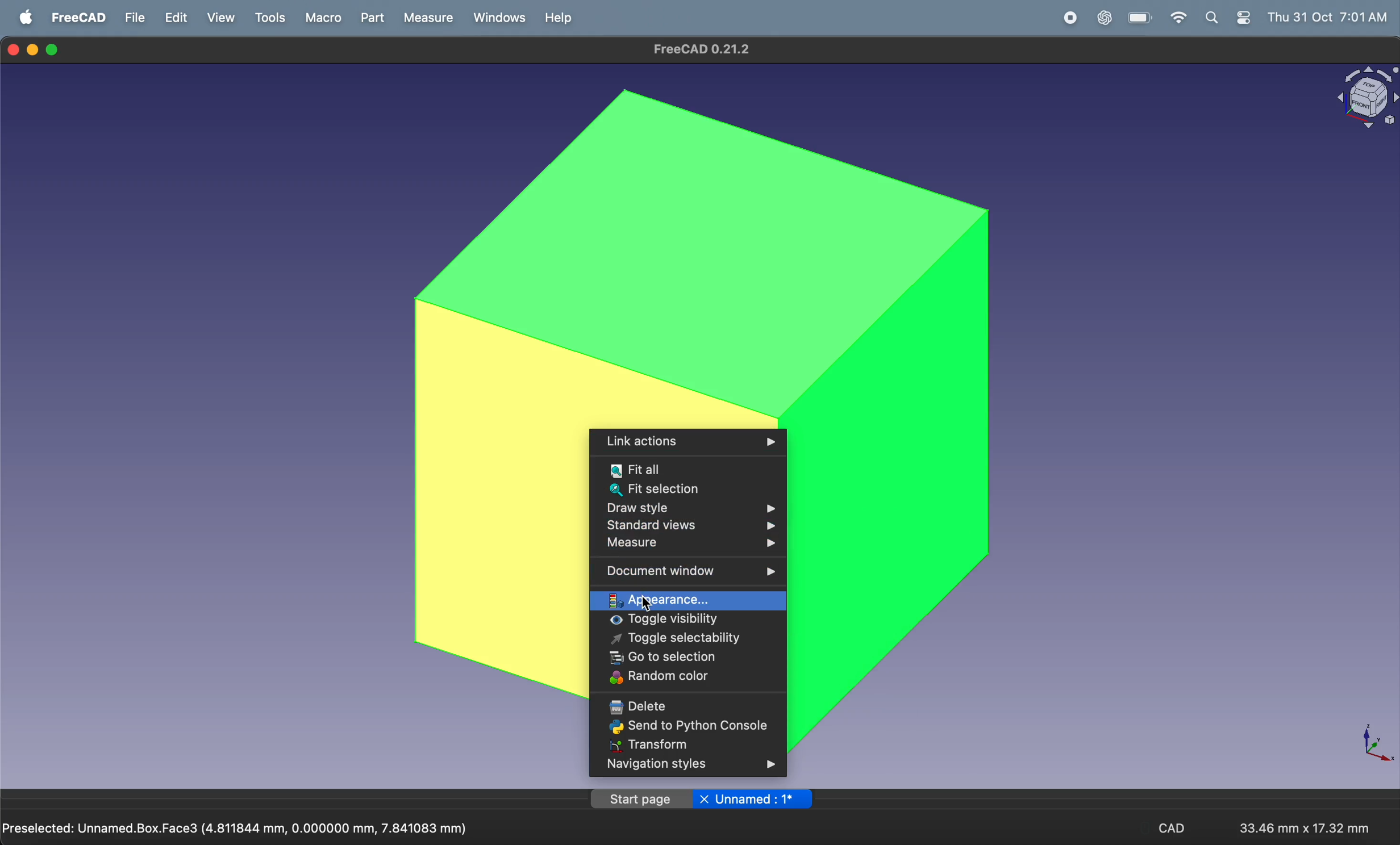 The height and width of the screenshot is (845, 1400). I want to click on random color, so click(686, 677).